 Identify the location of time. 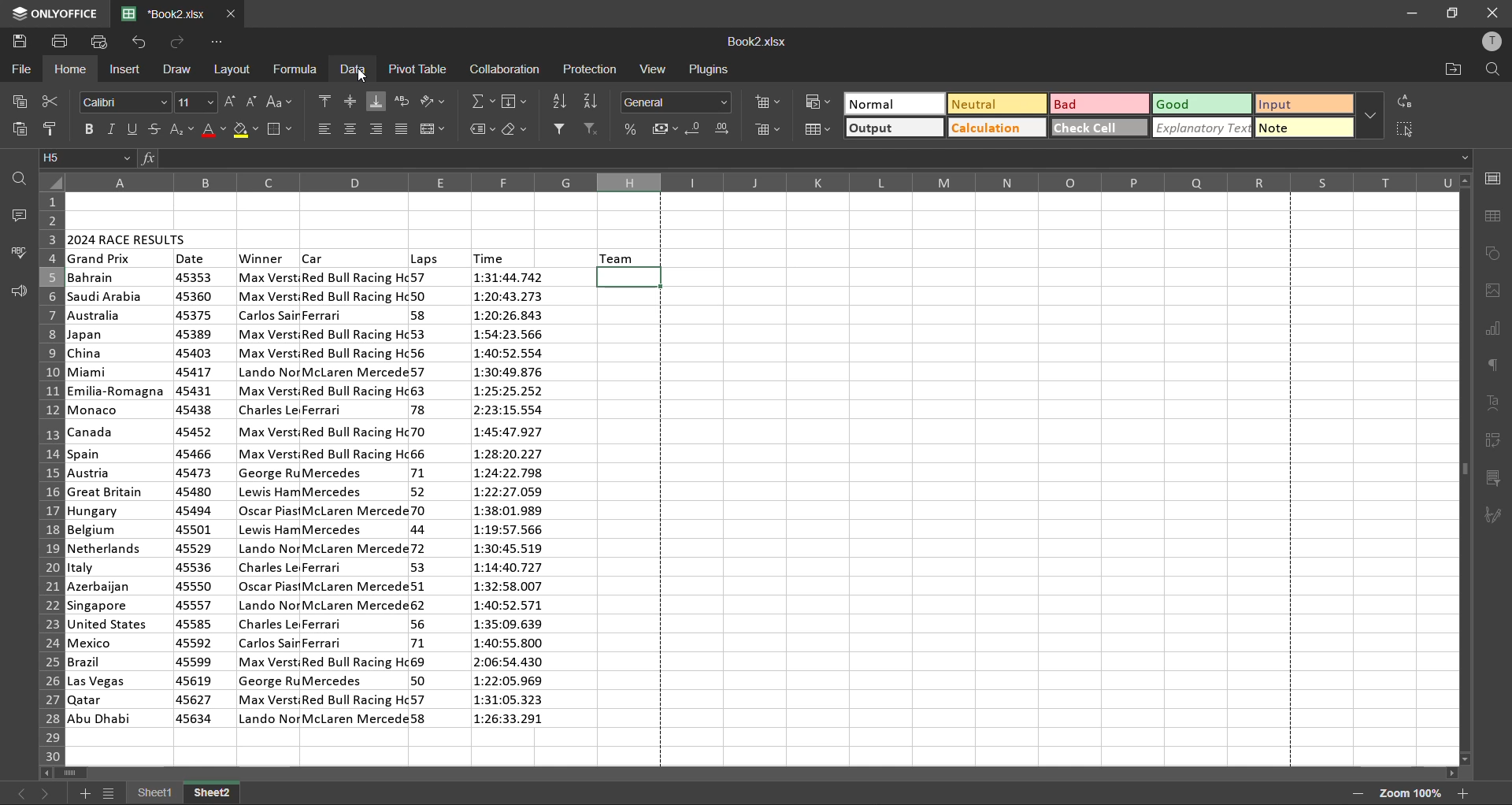
(513, 501).